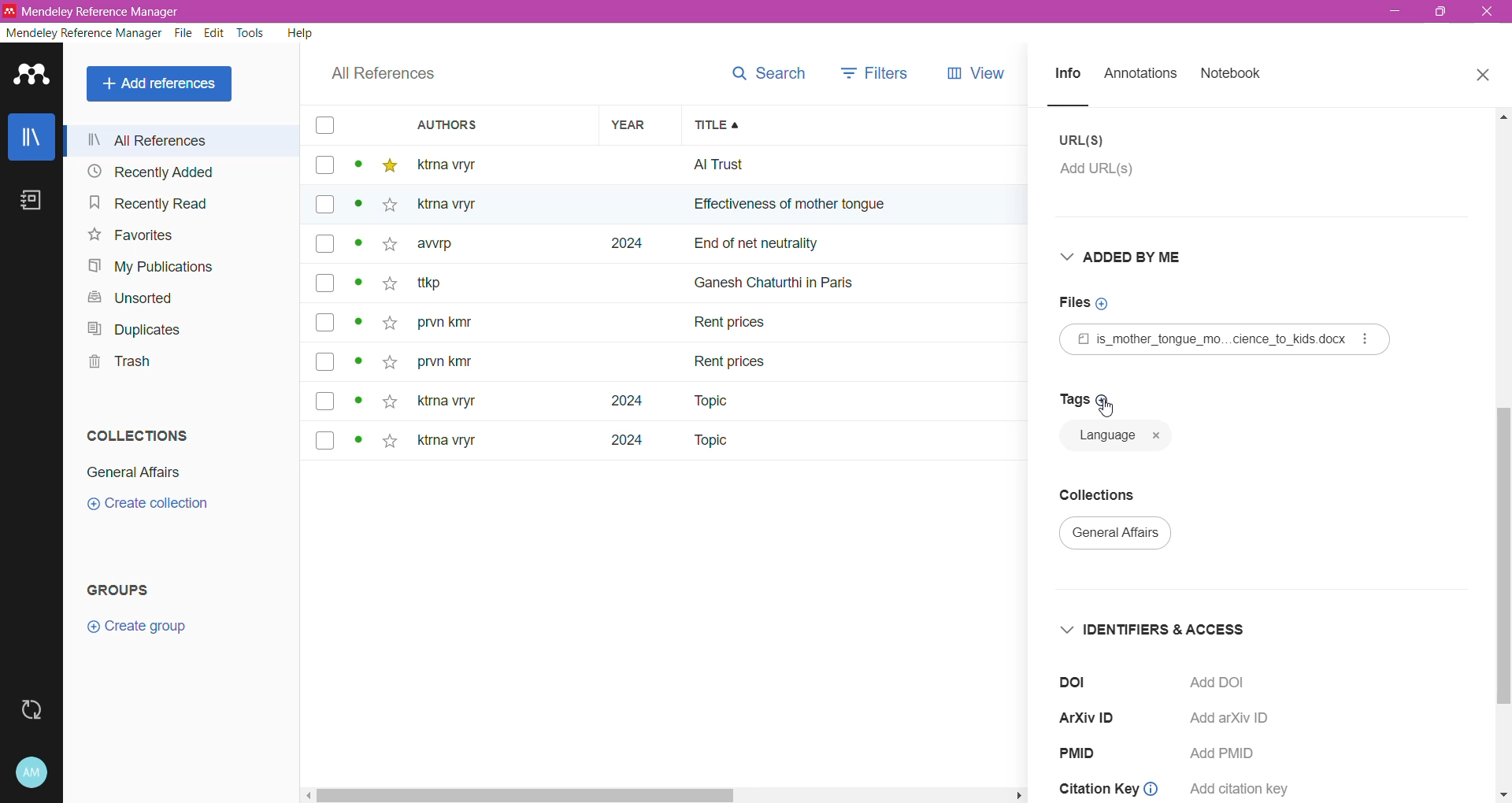  I want to click on box, so click(330, 401).